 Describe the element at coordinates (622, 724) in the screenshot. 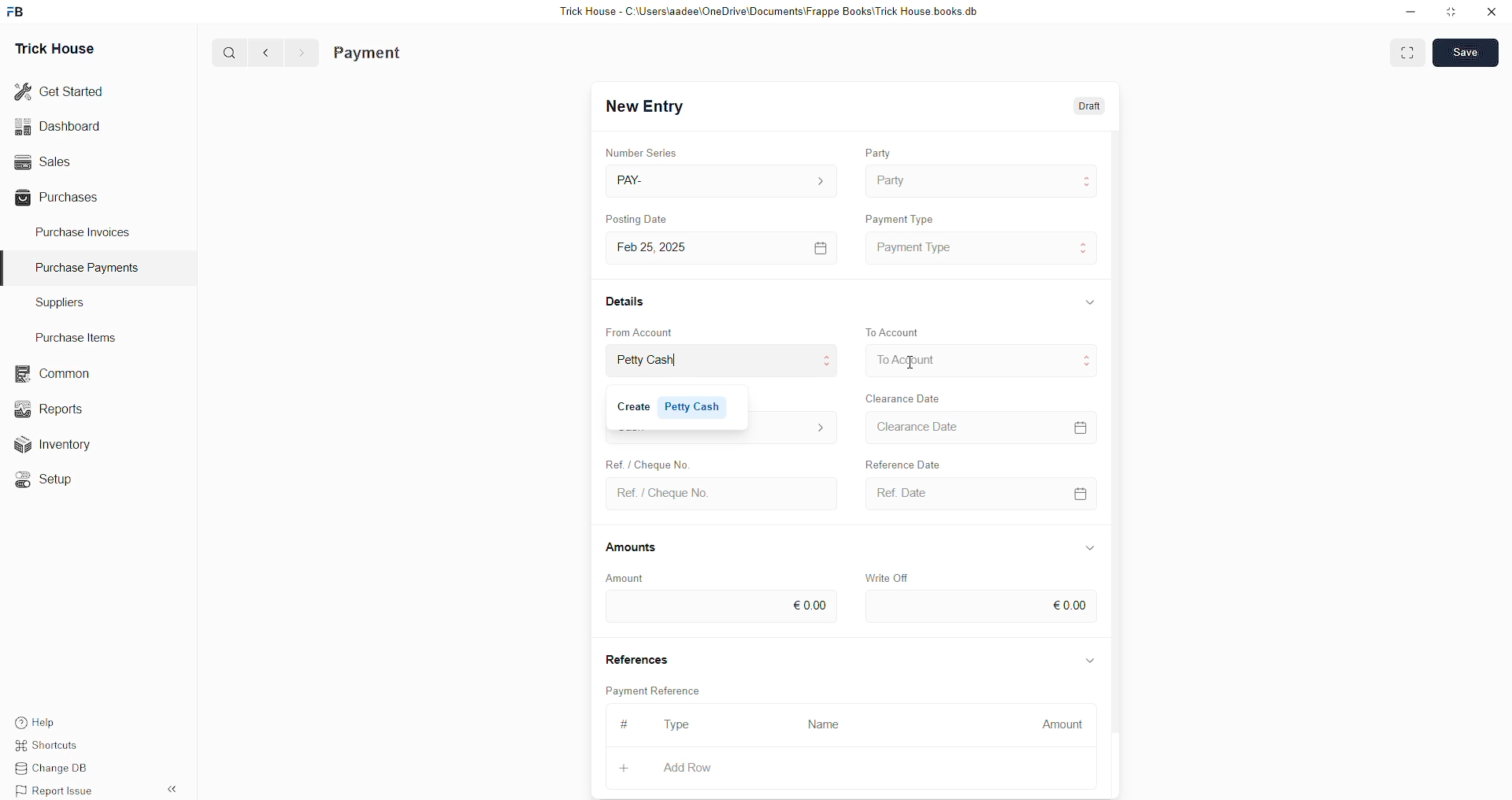

I see `#` at that location.